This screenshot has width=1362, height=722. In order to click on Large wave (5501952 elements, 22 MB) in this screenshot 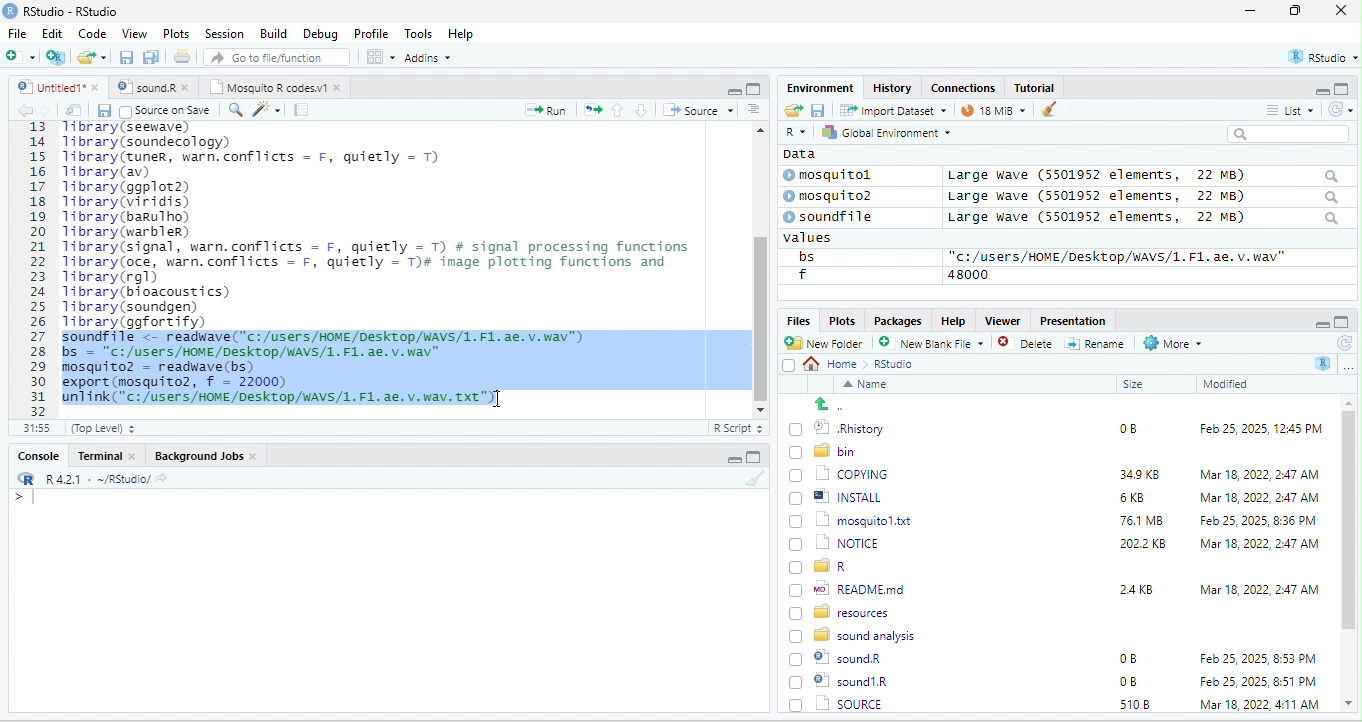, I will do `click(1142, 175)`.